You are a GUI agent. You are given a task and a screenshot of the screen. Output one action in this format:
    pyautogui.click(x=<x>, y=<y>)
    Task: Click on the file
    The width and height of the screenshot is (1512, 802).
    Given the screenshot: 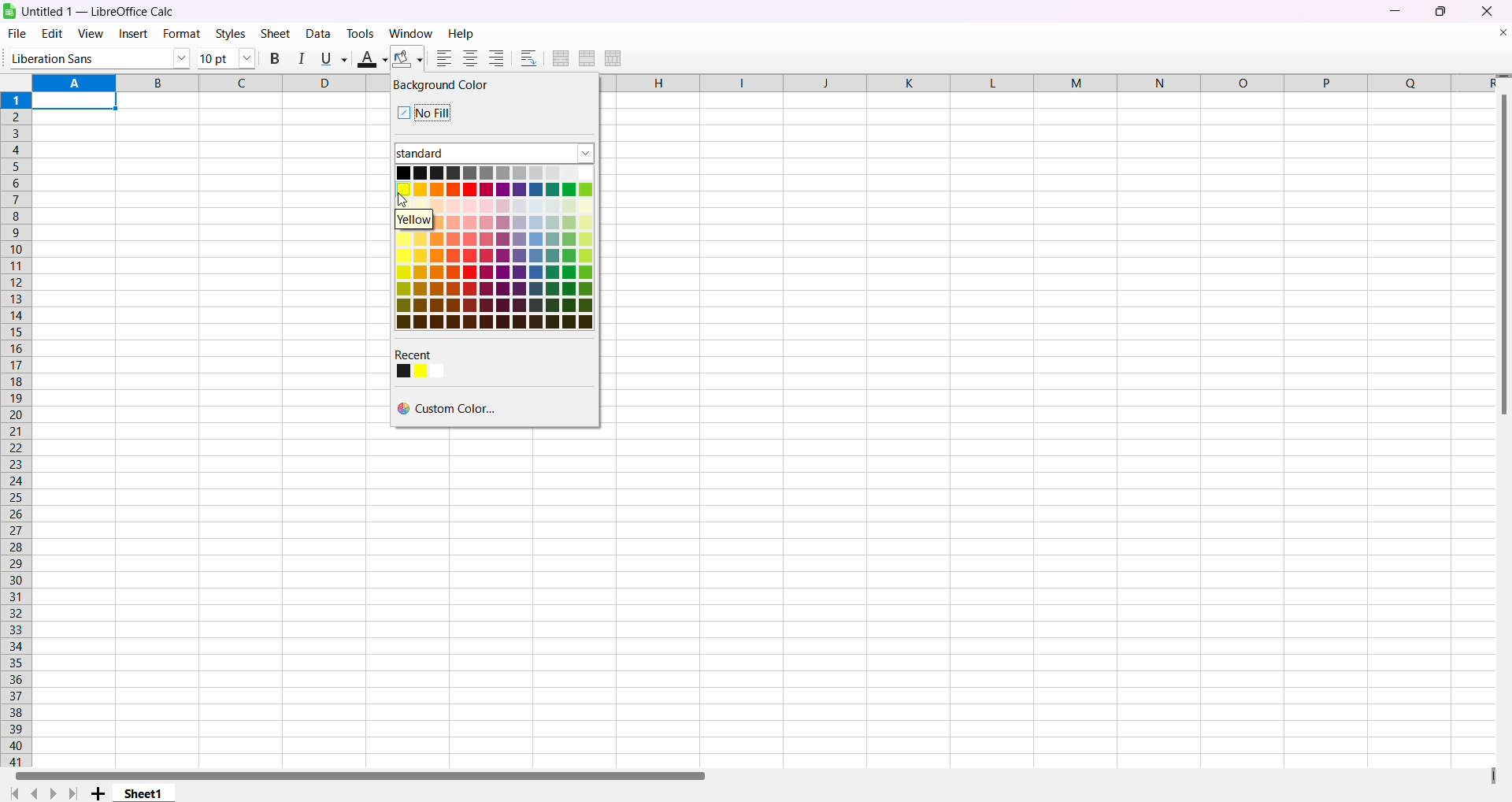 What is the action you would take?
    pyautogui.click(x=20, y=33)
    